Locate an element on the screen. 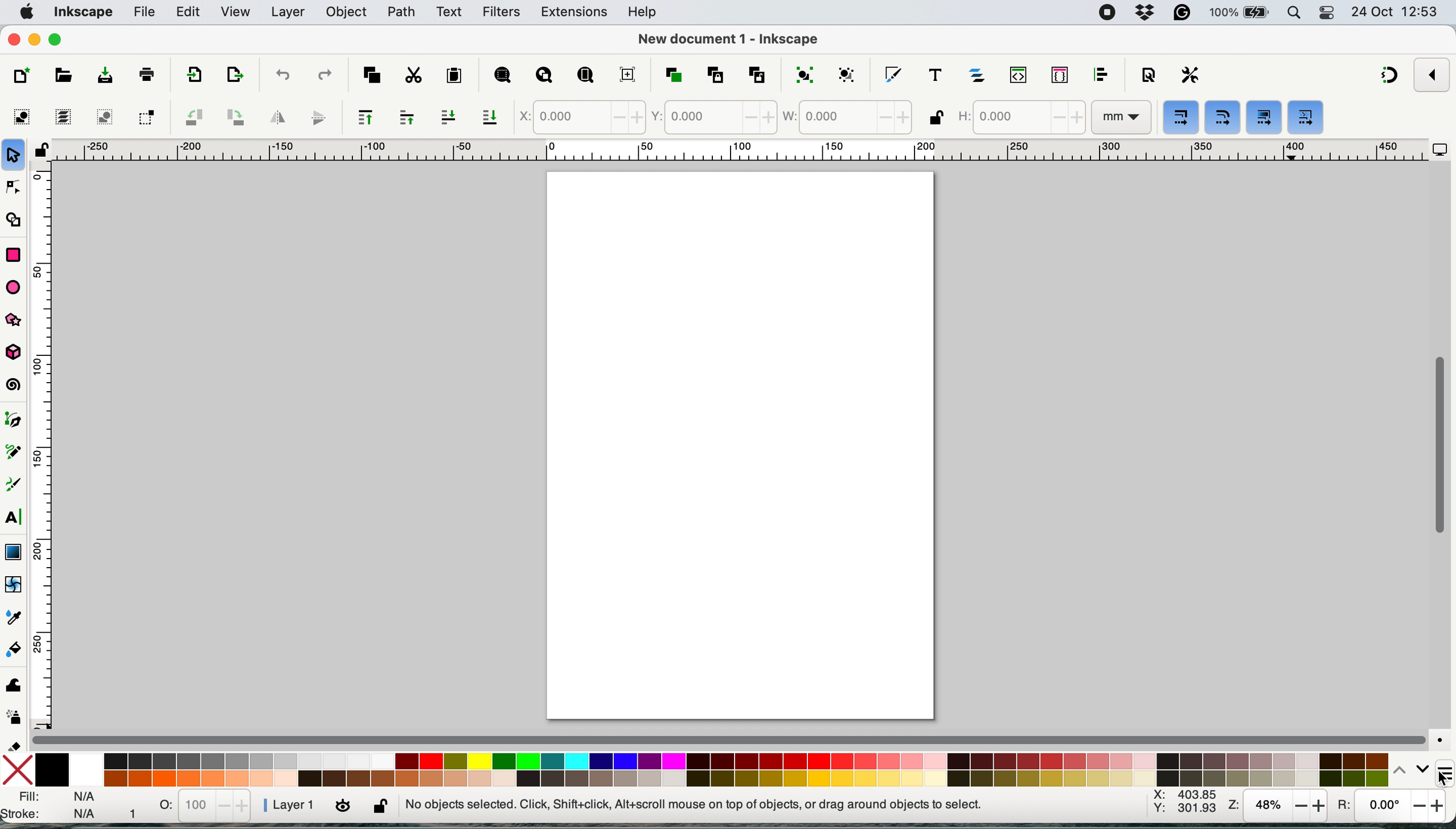  paint bucket tool is located at coordinates (15, 649).